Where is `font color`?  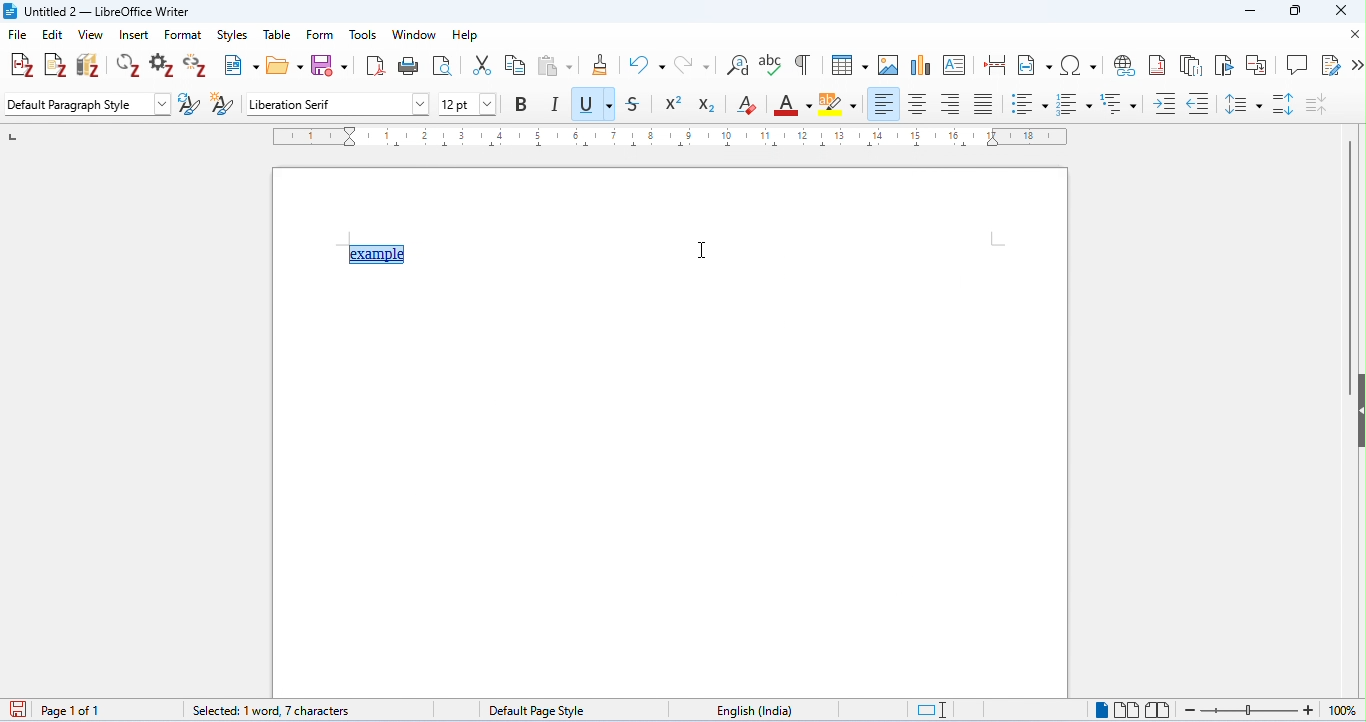 font color is located at coordinates (793, 106).